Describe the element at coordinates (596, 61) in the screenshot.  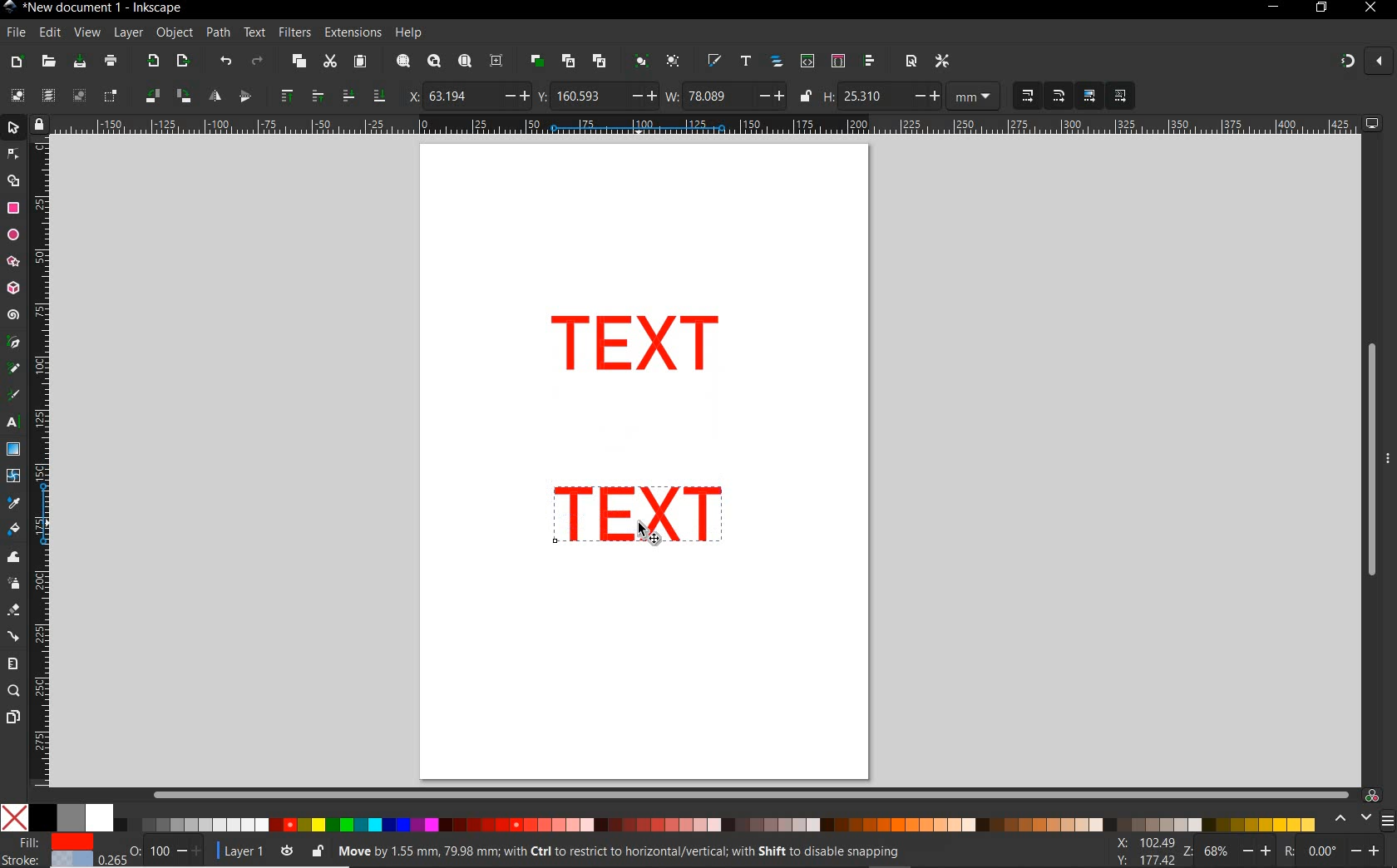
I see `unlink code` at that location.